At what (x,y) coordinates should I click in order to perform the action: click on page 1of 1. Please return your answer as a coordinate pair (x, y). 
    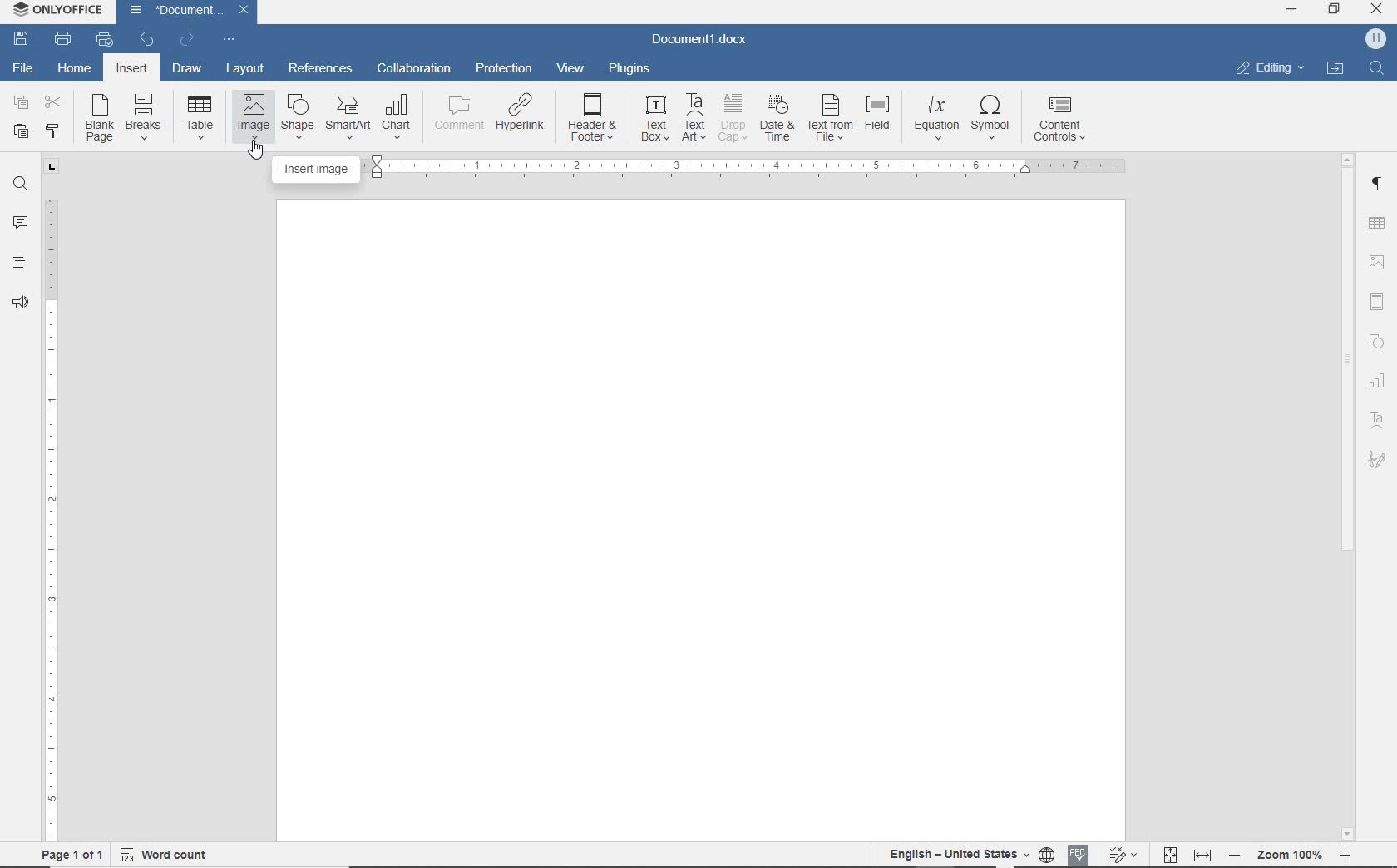
    Looking at the image, I should click on (74, 856).